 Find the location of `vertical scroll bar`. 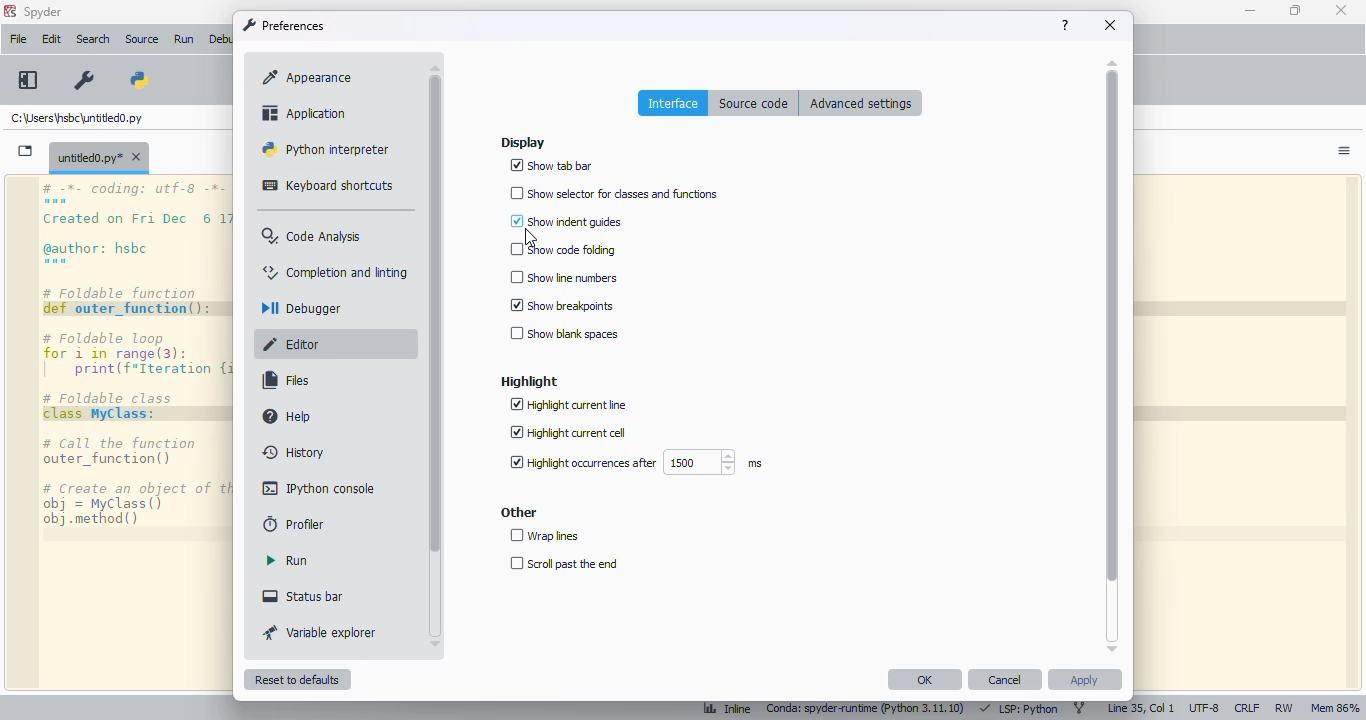

vertical scroll bar is located at coordinates (434, 314).